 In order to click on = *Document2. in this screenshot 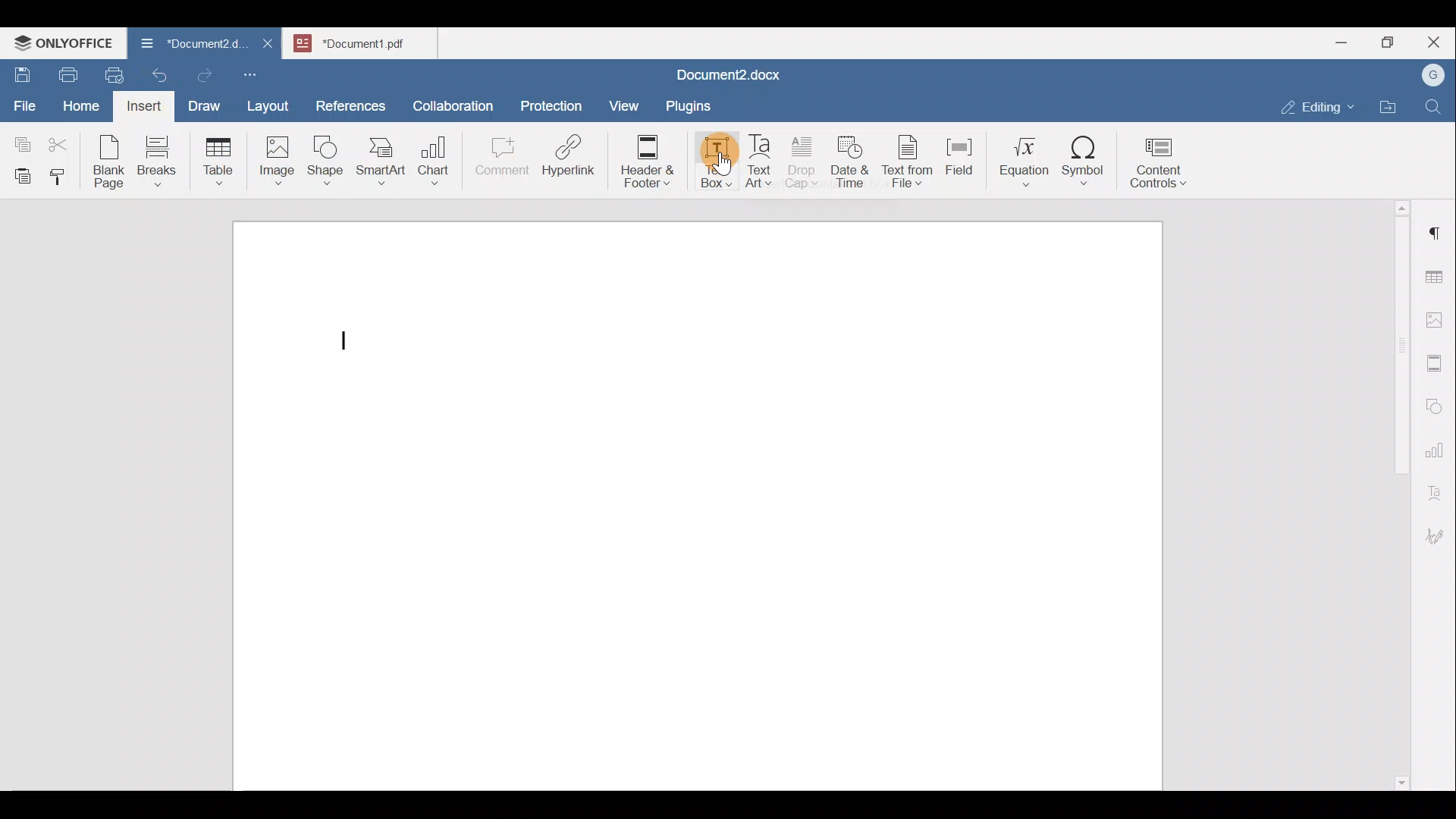, I will do `click(190, 45)`.